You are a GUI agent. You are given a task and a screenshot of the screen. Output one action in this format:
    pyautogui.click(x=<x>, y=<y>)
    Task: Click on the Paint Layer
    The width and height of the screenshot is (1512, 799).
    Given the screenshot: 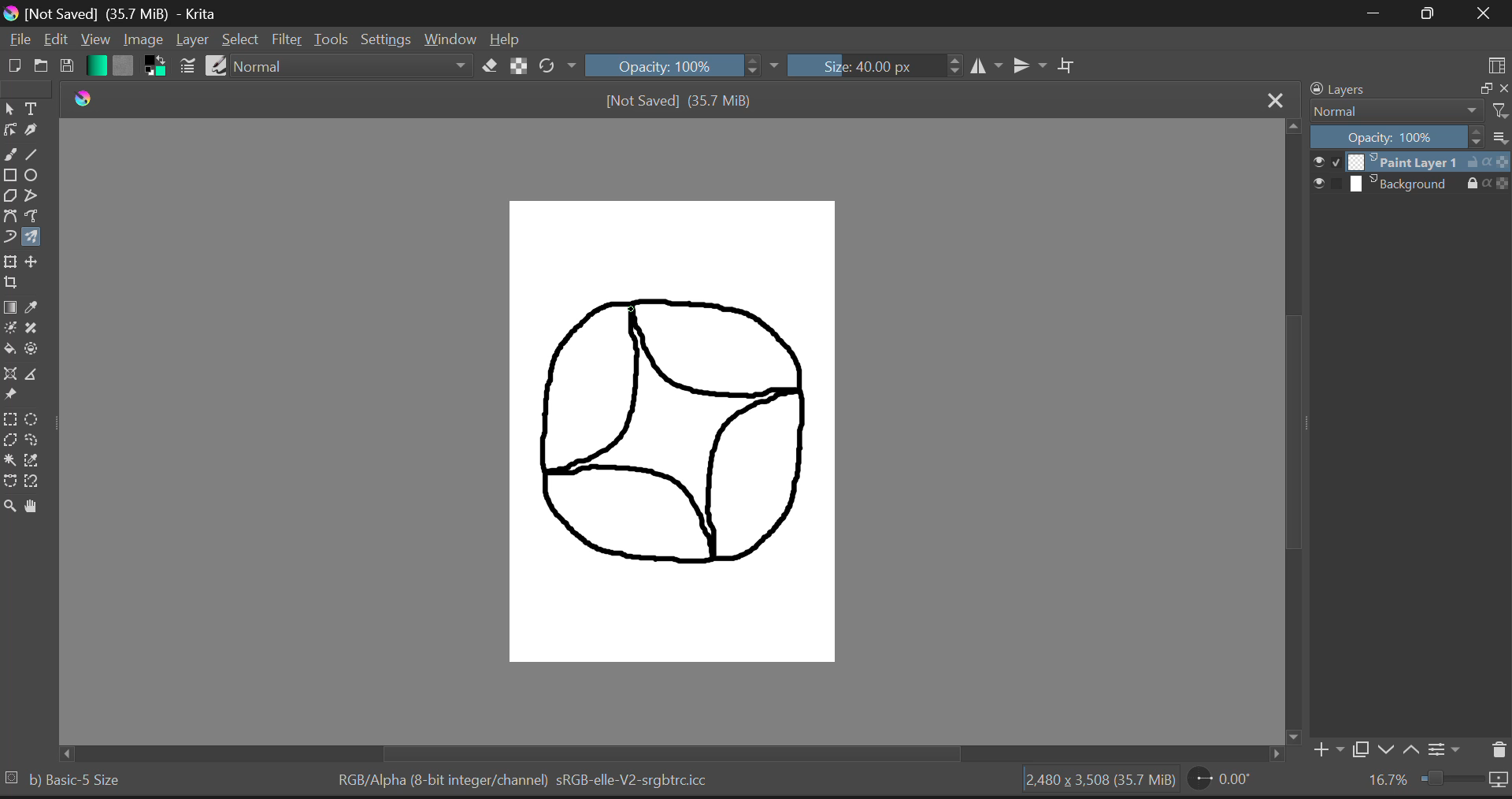 What is the action you would take?
    pyautogui.click(x=1411, y=165)
    